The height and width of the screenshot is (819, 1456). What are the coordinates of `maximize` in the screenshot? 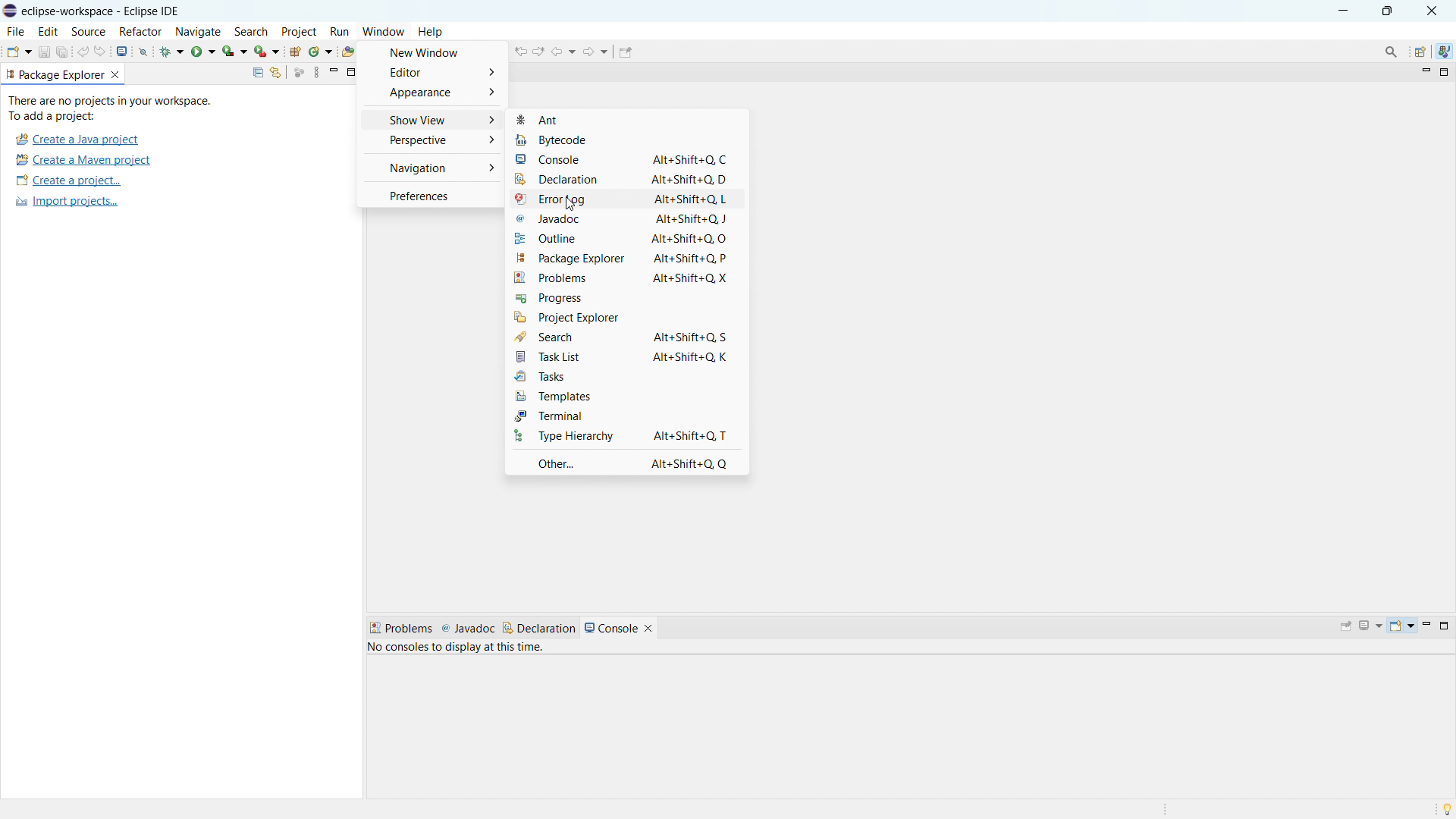 It's located at (353, 73).